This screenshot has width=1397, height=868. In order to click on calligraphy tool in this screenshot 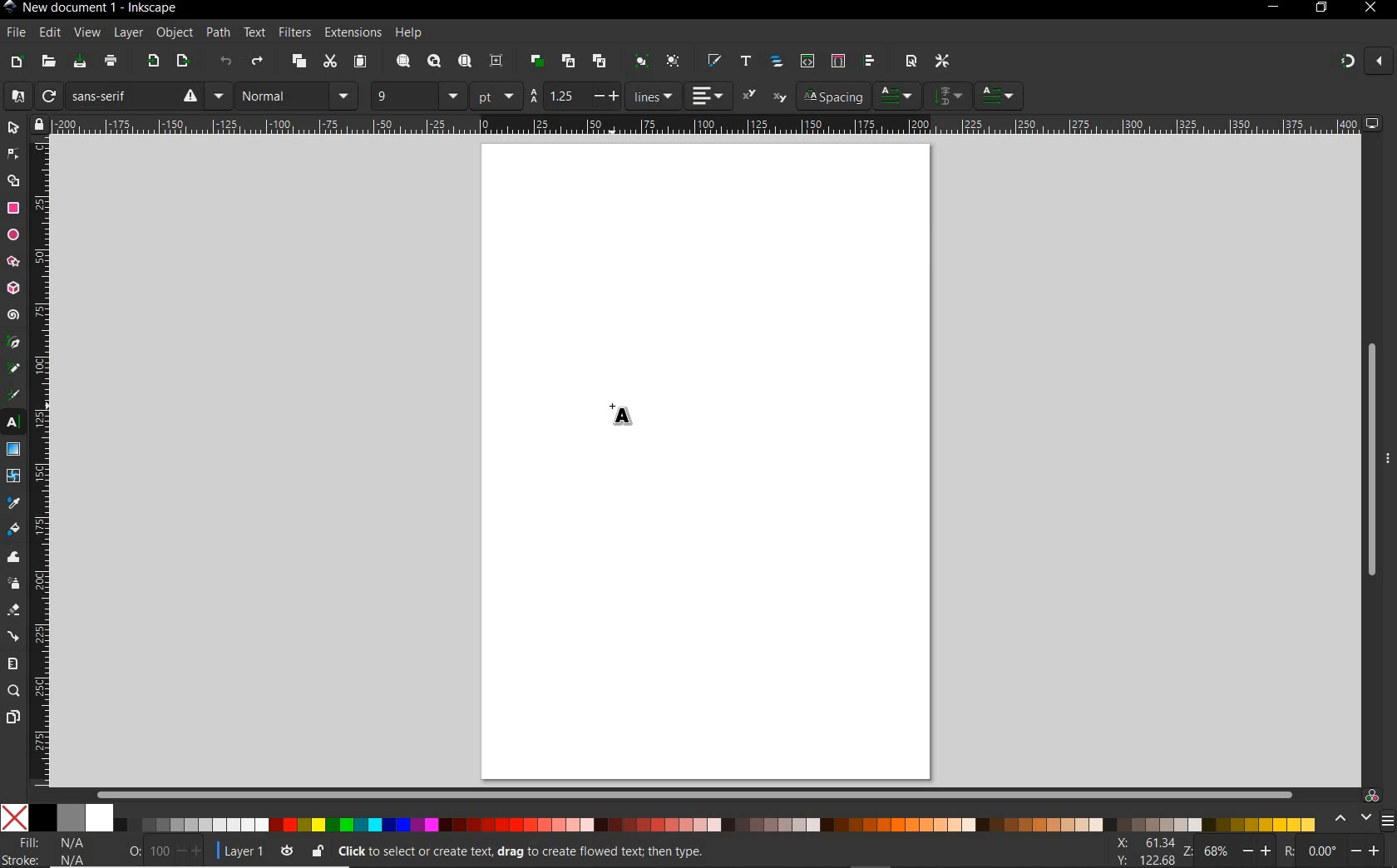, I will do `click(16, 395)`.